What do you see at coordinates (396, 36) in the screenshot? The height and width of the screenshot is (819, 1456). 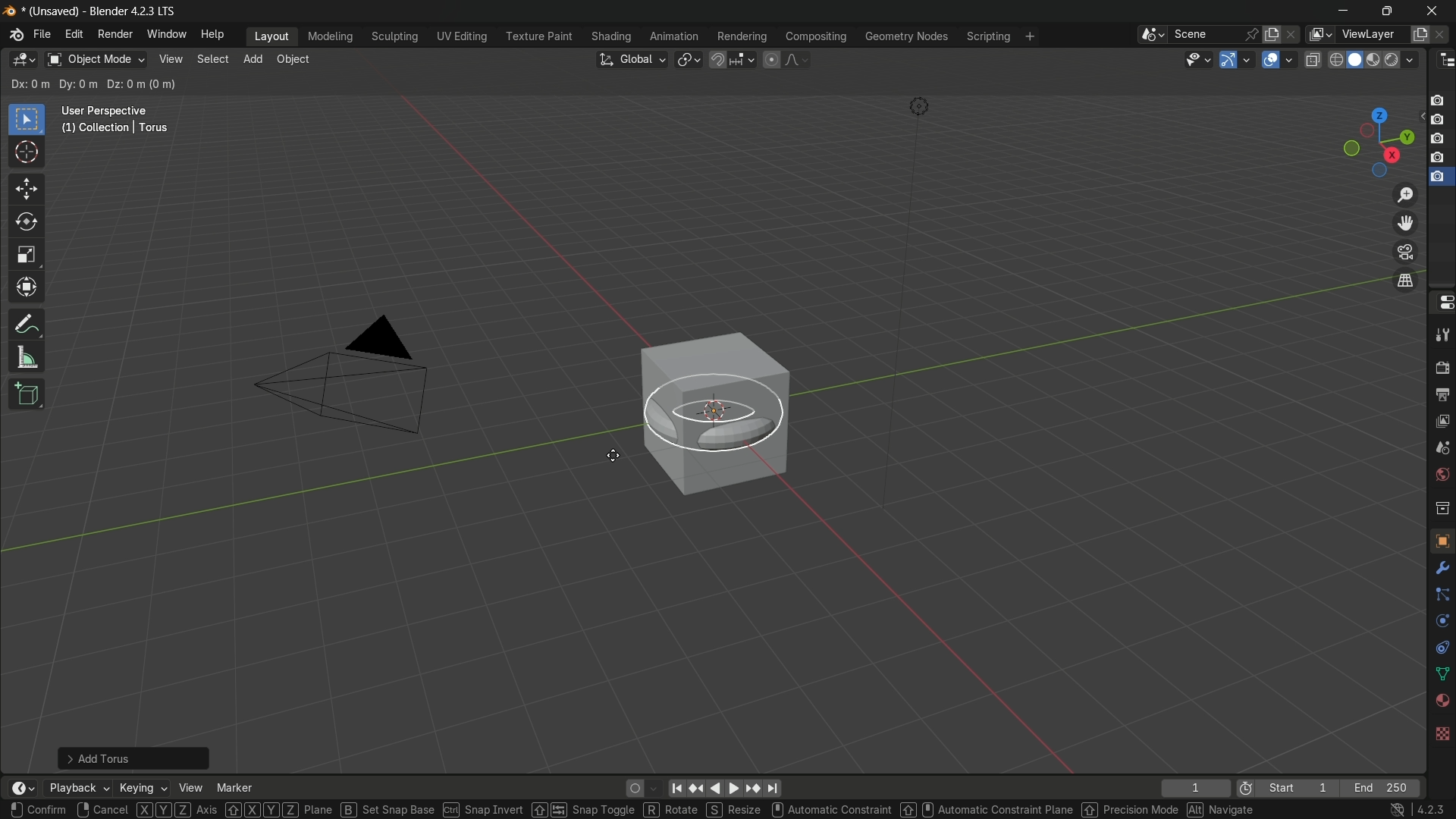 I see `sculpting` at bounding box center [396, 36].